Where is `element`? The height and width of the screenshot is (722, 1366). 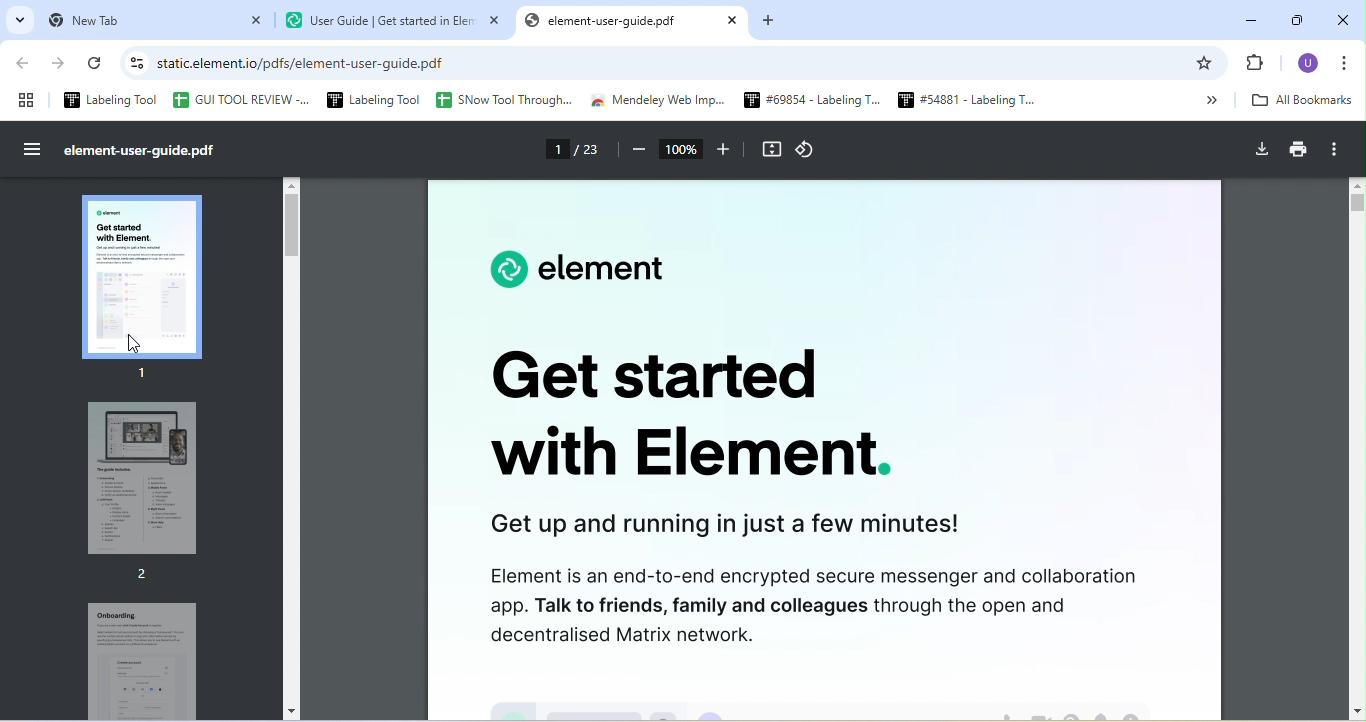
element is located at coordinates (570, 270).